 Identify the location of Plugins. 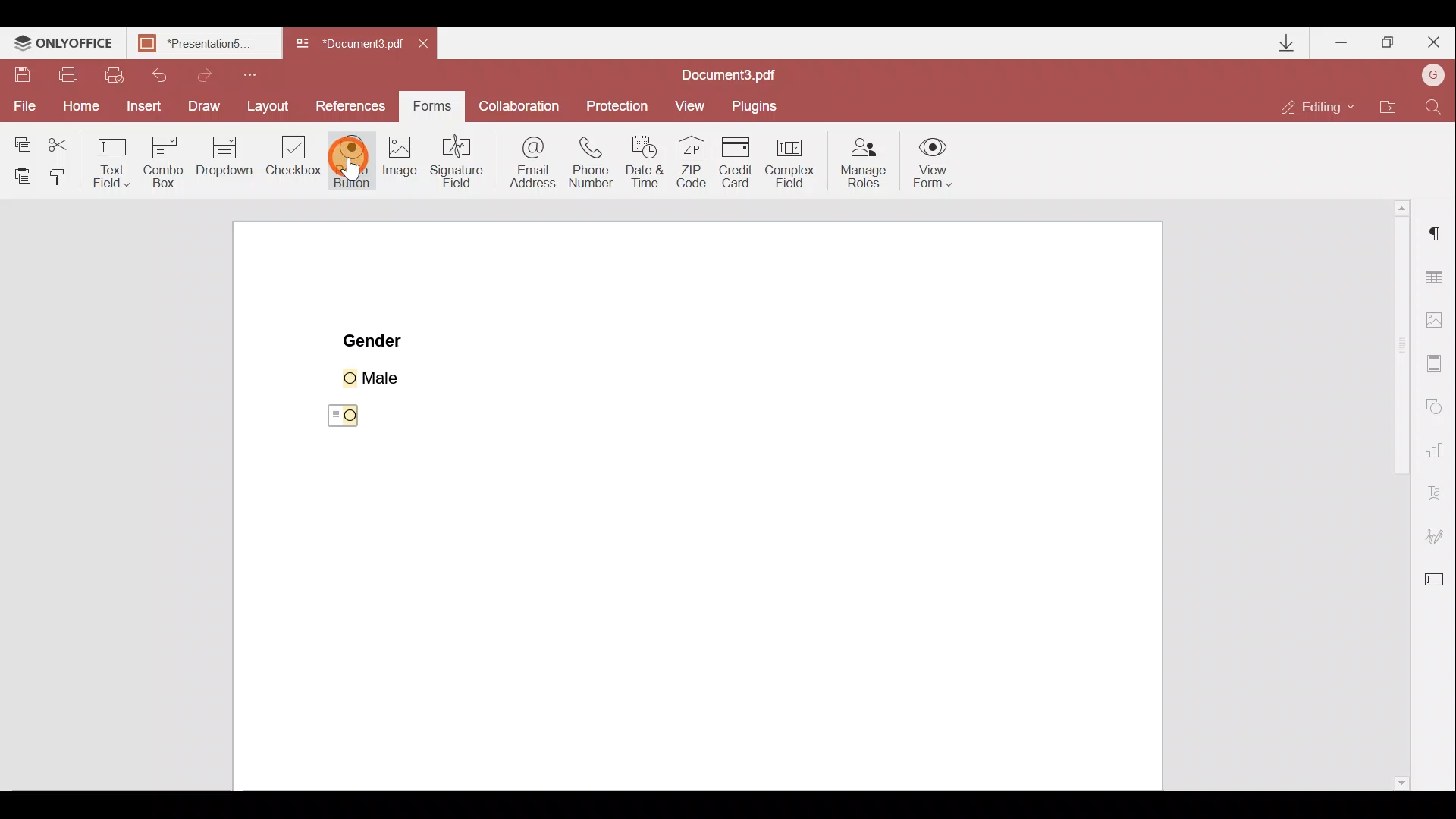
(760, 103).